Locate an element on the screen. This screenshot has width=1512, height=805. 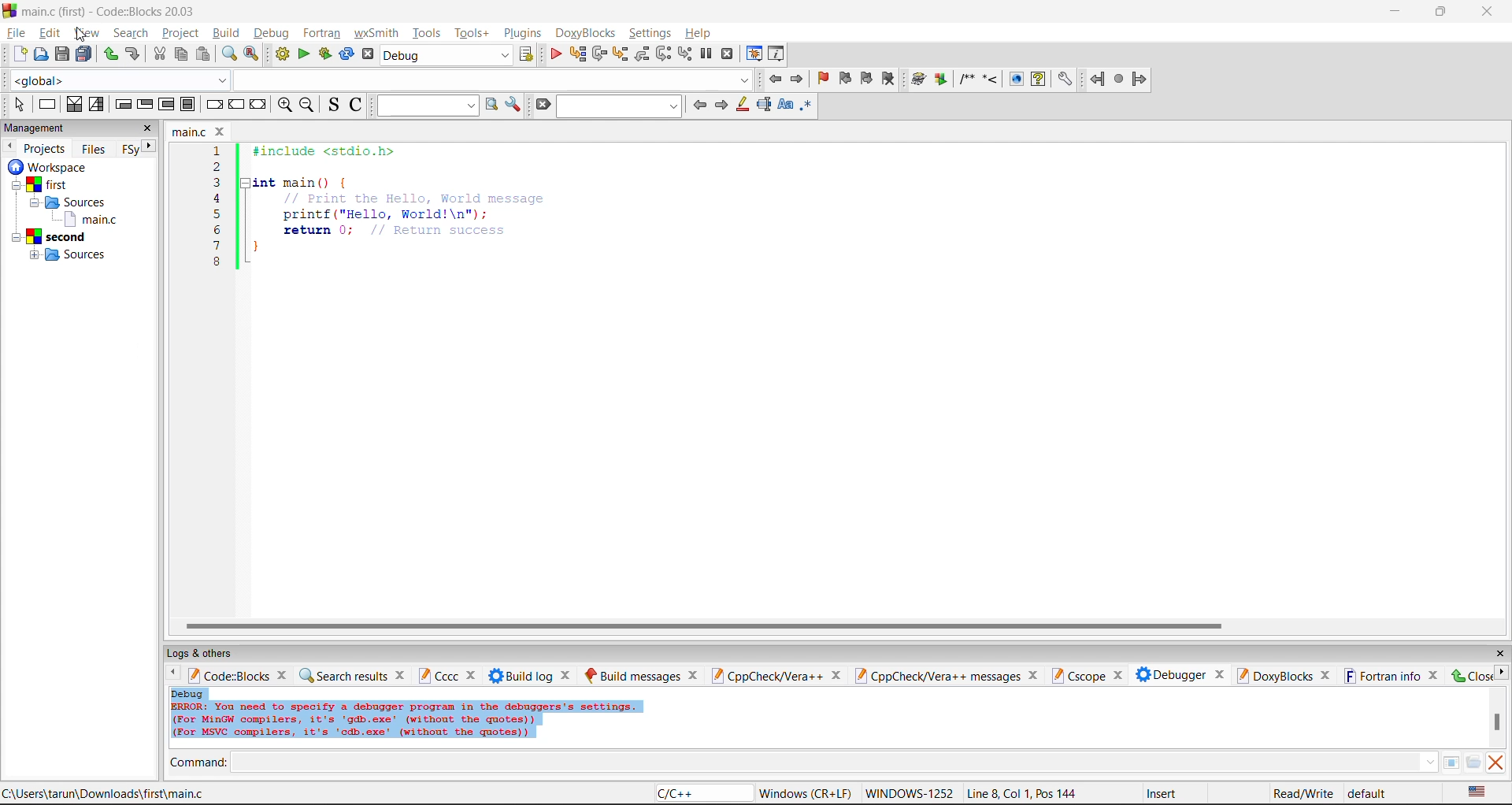
zoom out is located at coordinates (309, 106).